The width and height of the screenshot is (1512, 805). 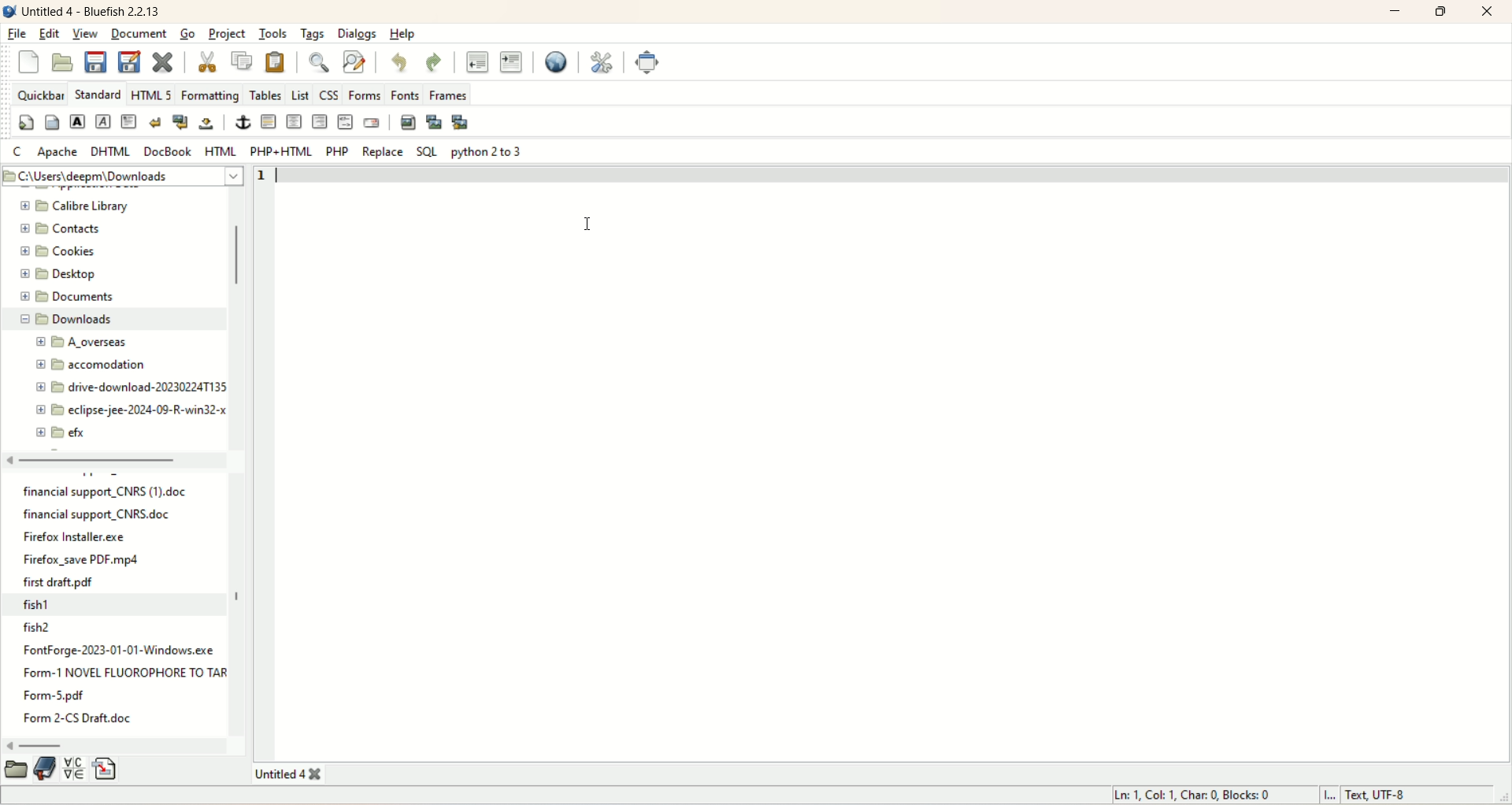 I want to click on body, so click(x=53, y=122).